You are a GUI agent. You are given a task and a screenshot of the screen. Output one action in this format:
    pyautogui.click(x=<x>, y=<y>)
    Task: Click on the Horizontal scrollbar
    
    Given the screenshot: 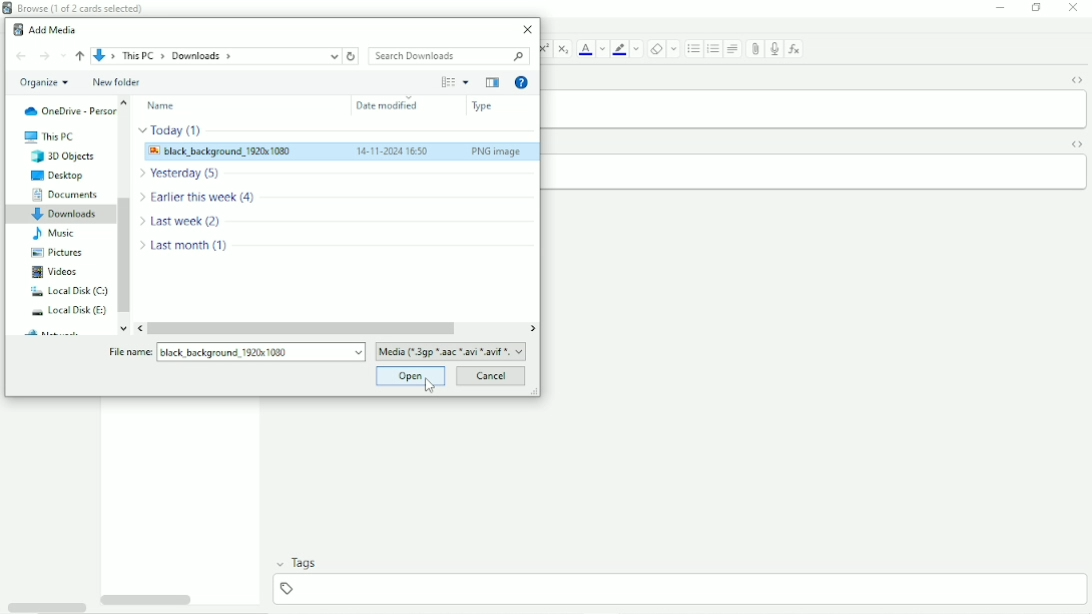 What is the action you would take?
    pyautogui.click(x=302, y=328)
    